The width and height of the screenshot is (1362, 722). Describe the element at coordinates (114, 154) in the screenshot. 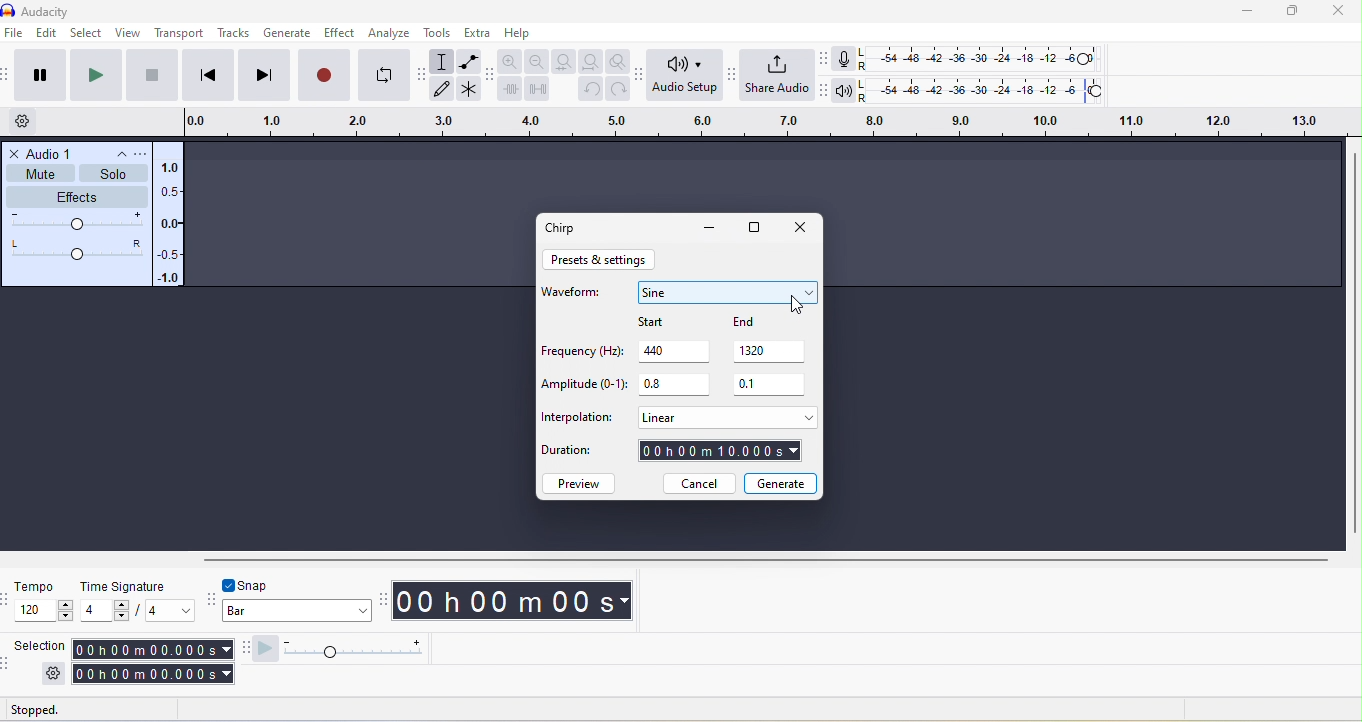

I see `collapse` at that location.